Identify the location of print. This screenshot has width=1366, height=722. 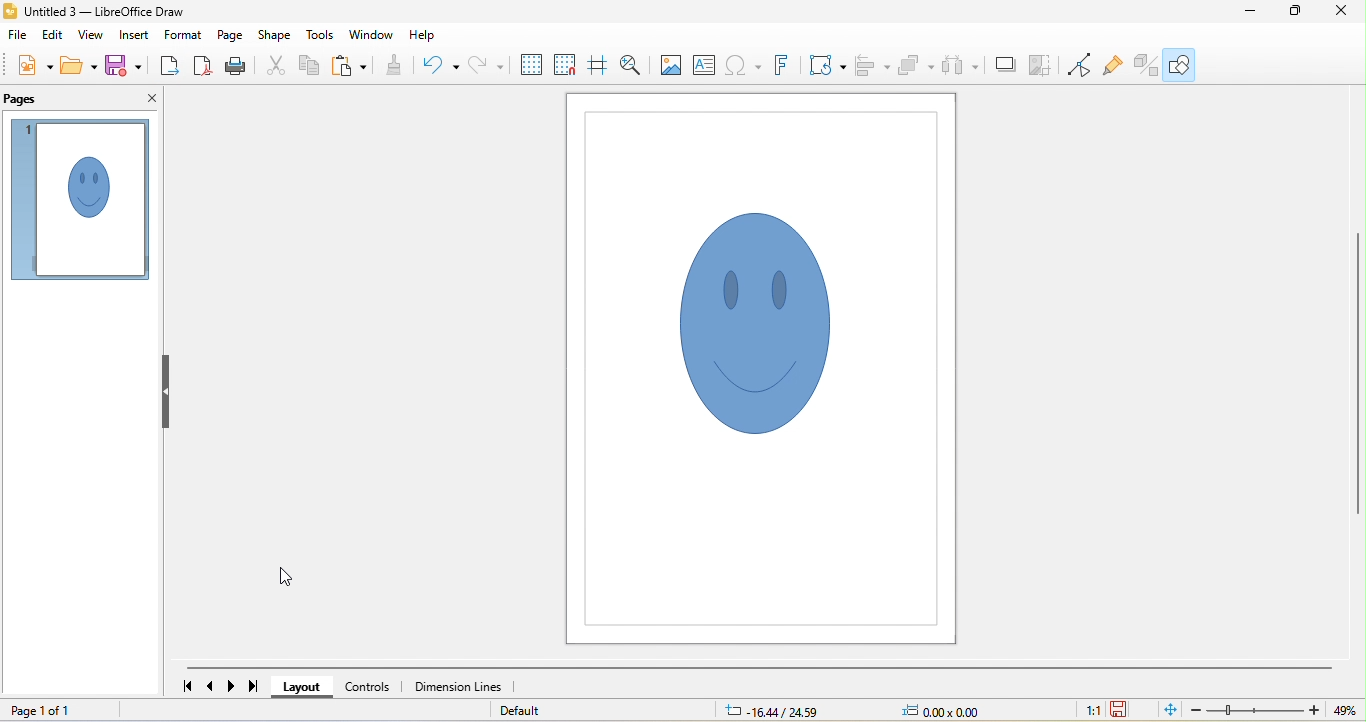
(239, 67).